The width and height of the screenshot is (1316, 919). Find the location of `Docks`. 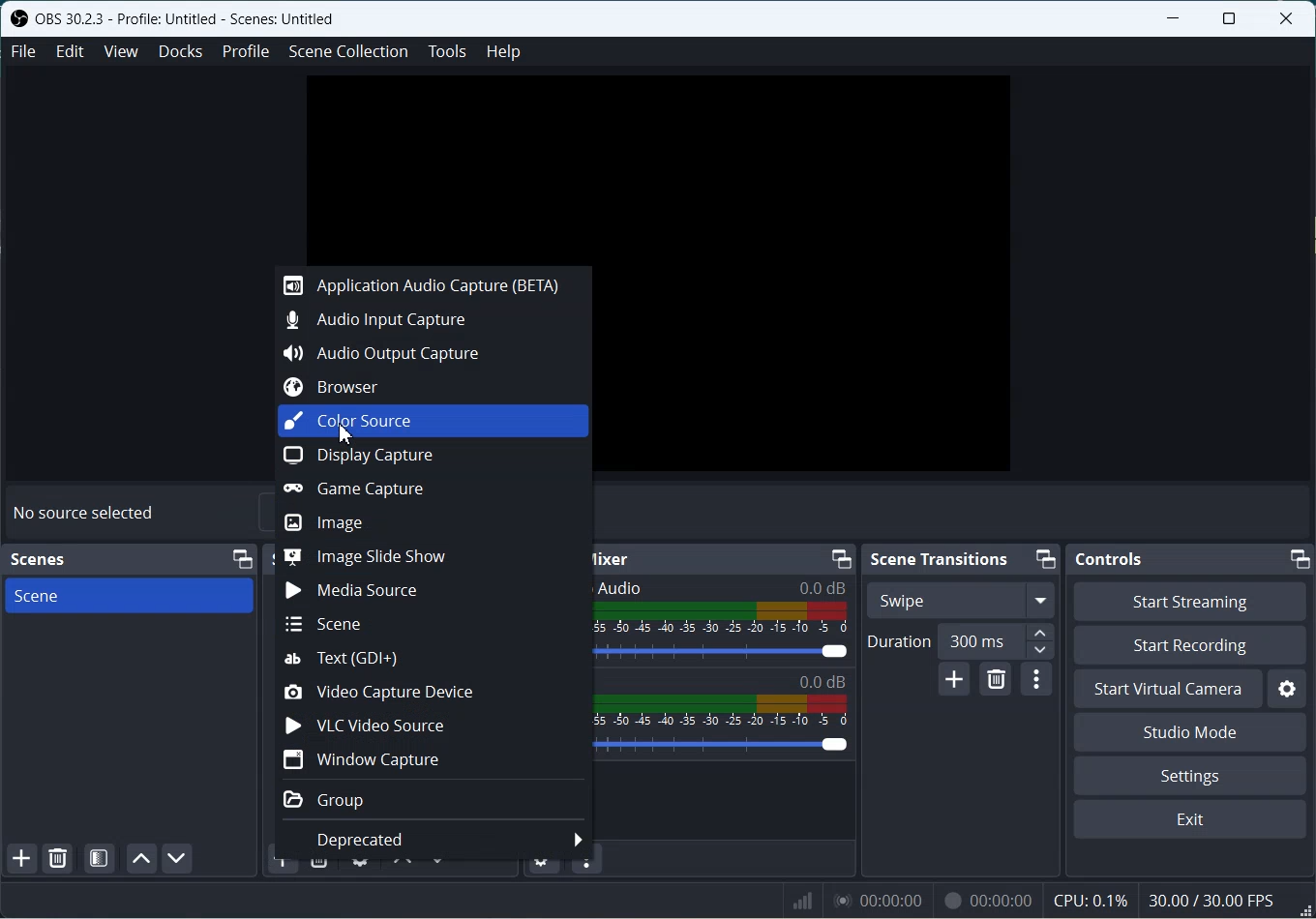

Docks is located at coordinates (181, 51).